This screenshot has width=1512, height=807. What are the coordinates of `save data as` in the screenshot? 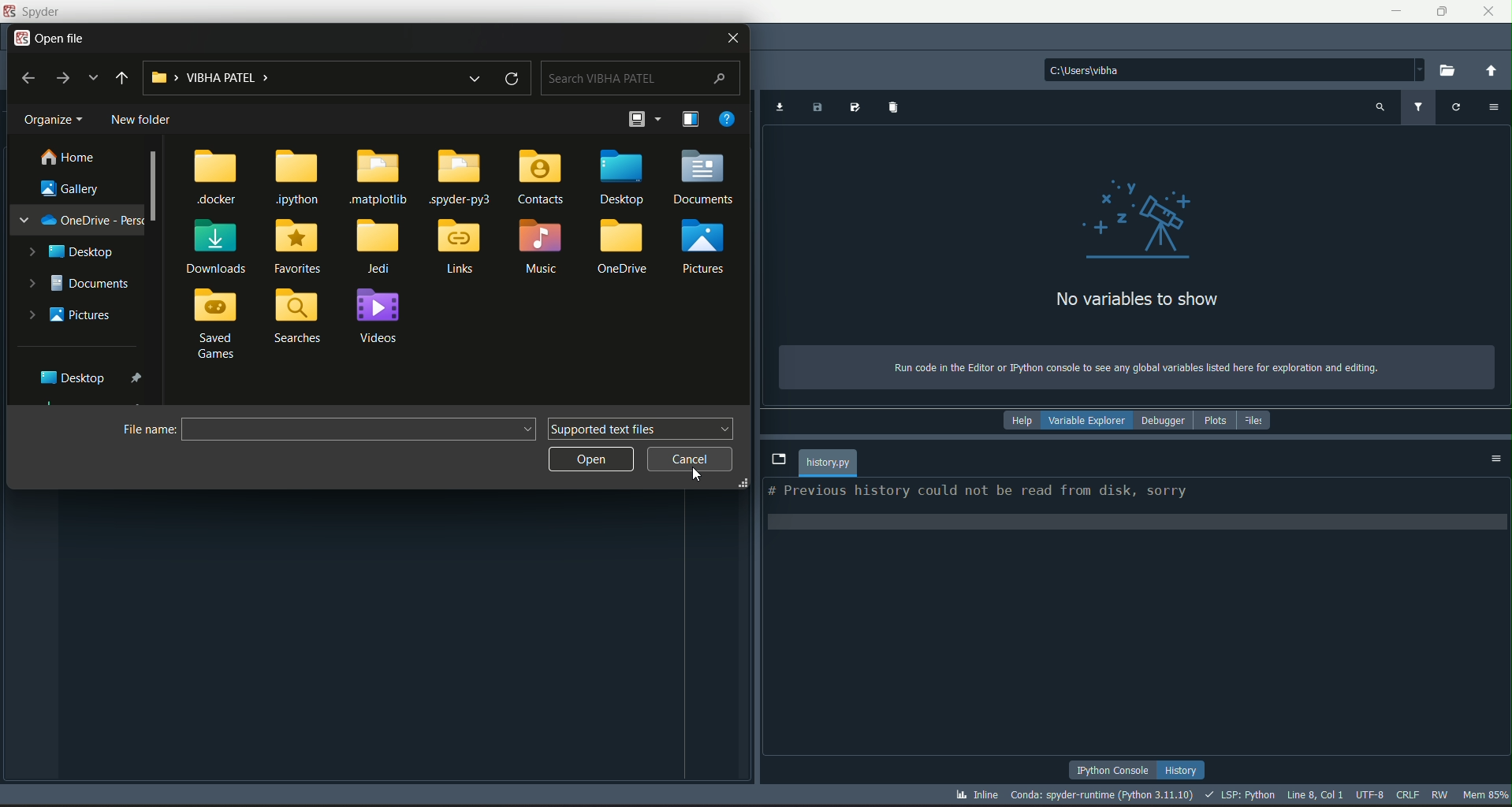 It's located at (855, 107).